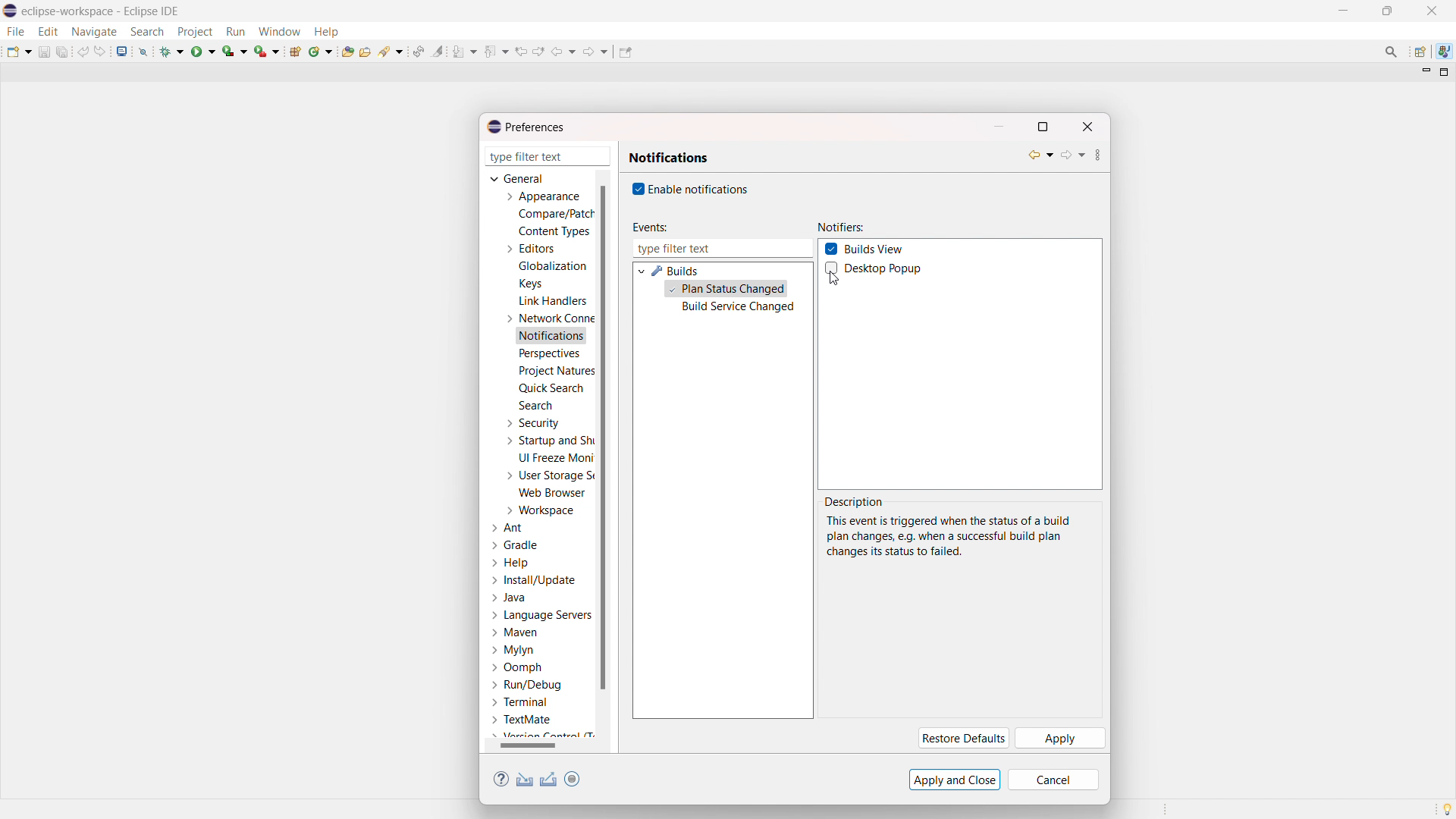 The image size is (1456, 819). Describe the element at coordinates (538, 50) in the screenshot. I see `view next location` at that location.